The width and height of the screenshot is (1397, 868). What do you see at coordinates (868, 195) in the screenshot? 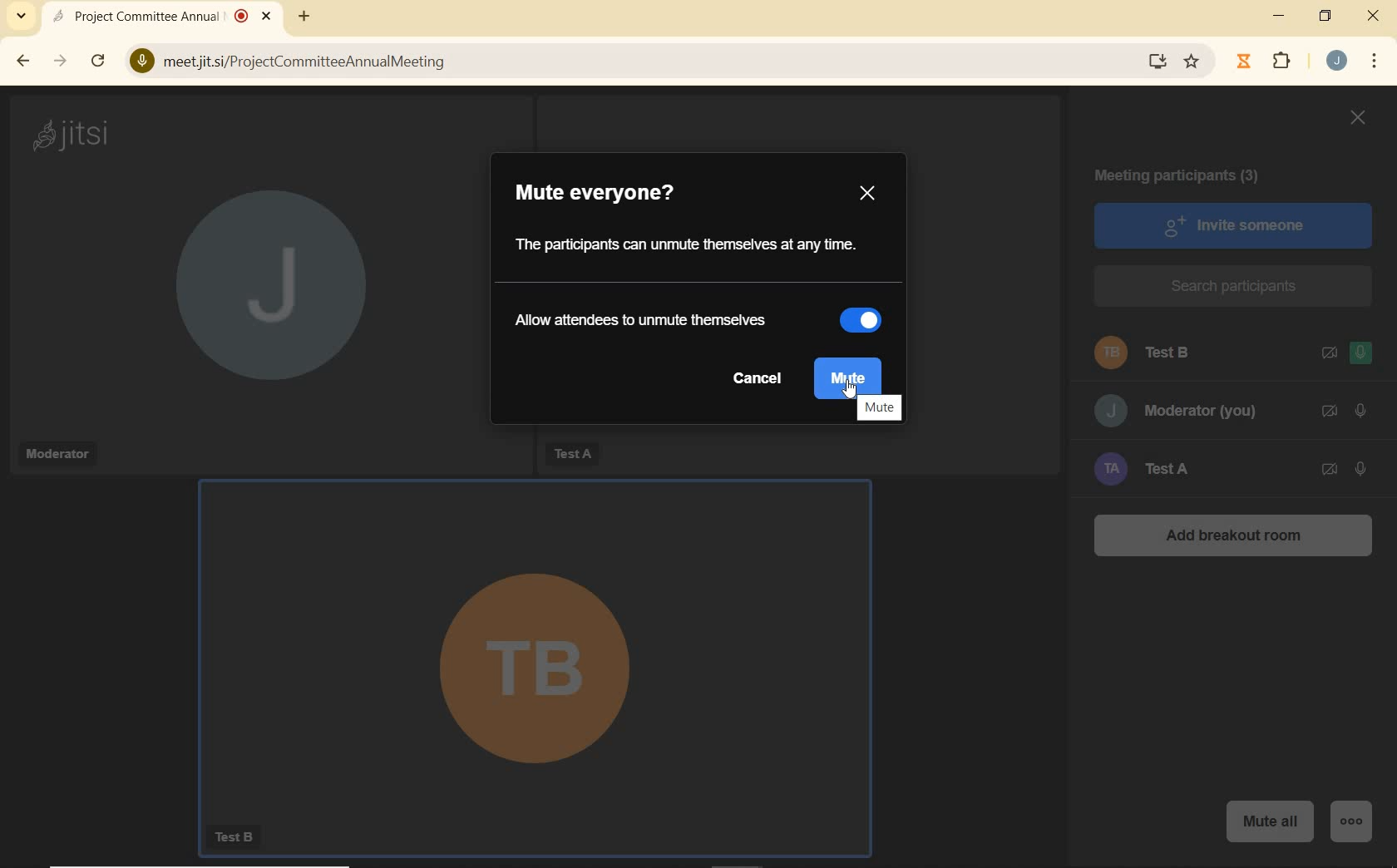
I see `CLOSE` at bounding box center [868, 195].